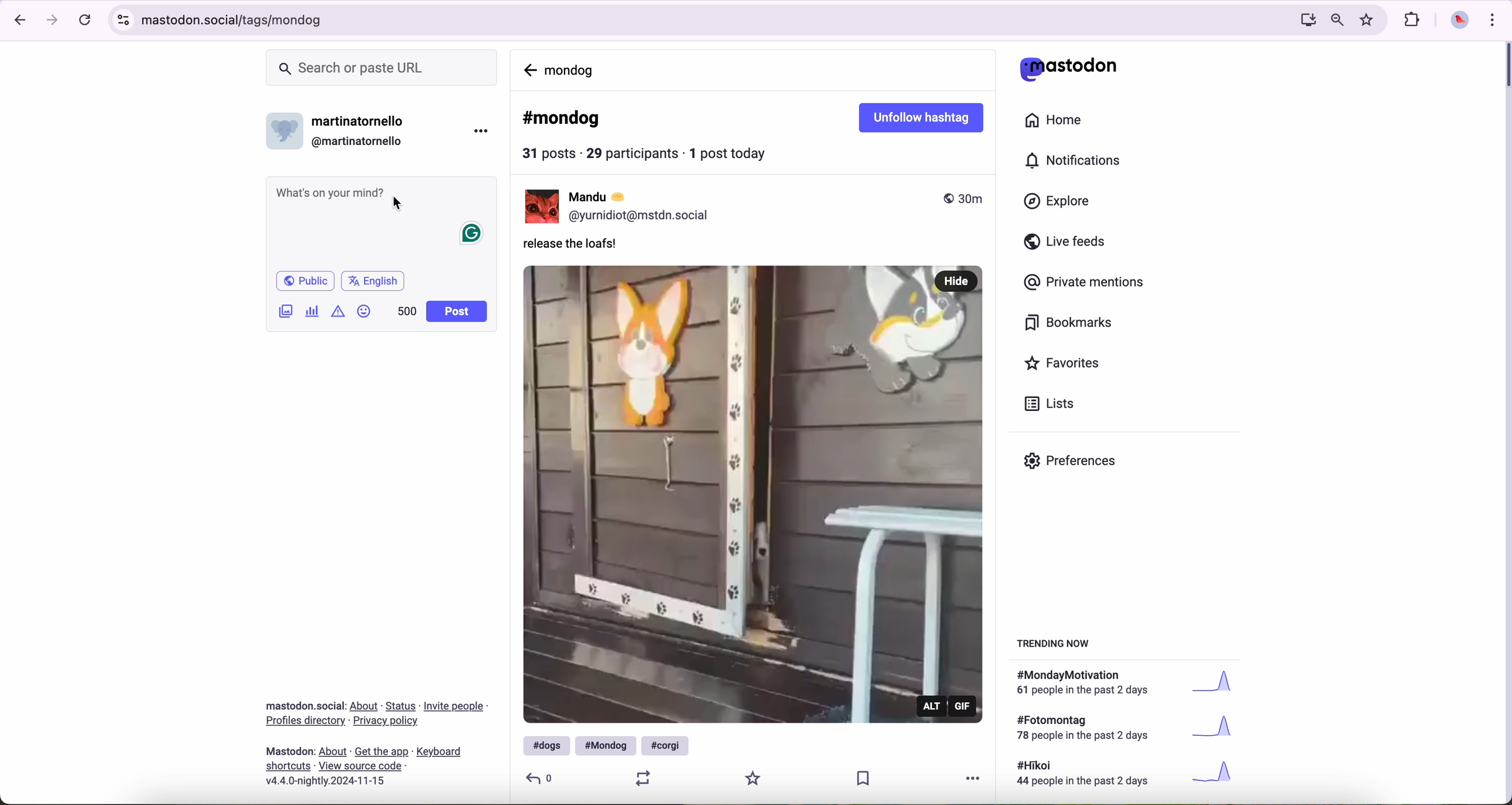  I want to click on navigate back, so click(529, 68).